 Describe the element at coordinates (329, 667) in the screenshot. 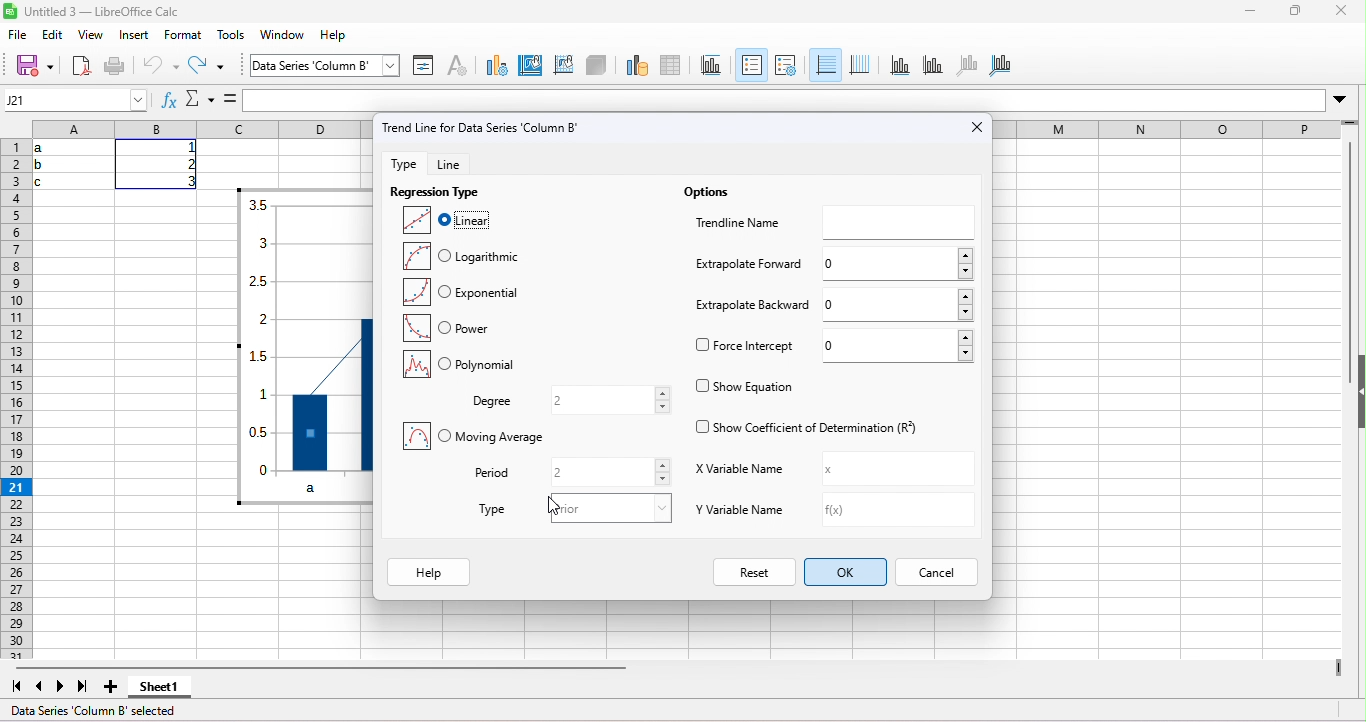

I see `horizontal scroll bar` at that location.